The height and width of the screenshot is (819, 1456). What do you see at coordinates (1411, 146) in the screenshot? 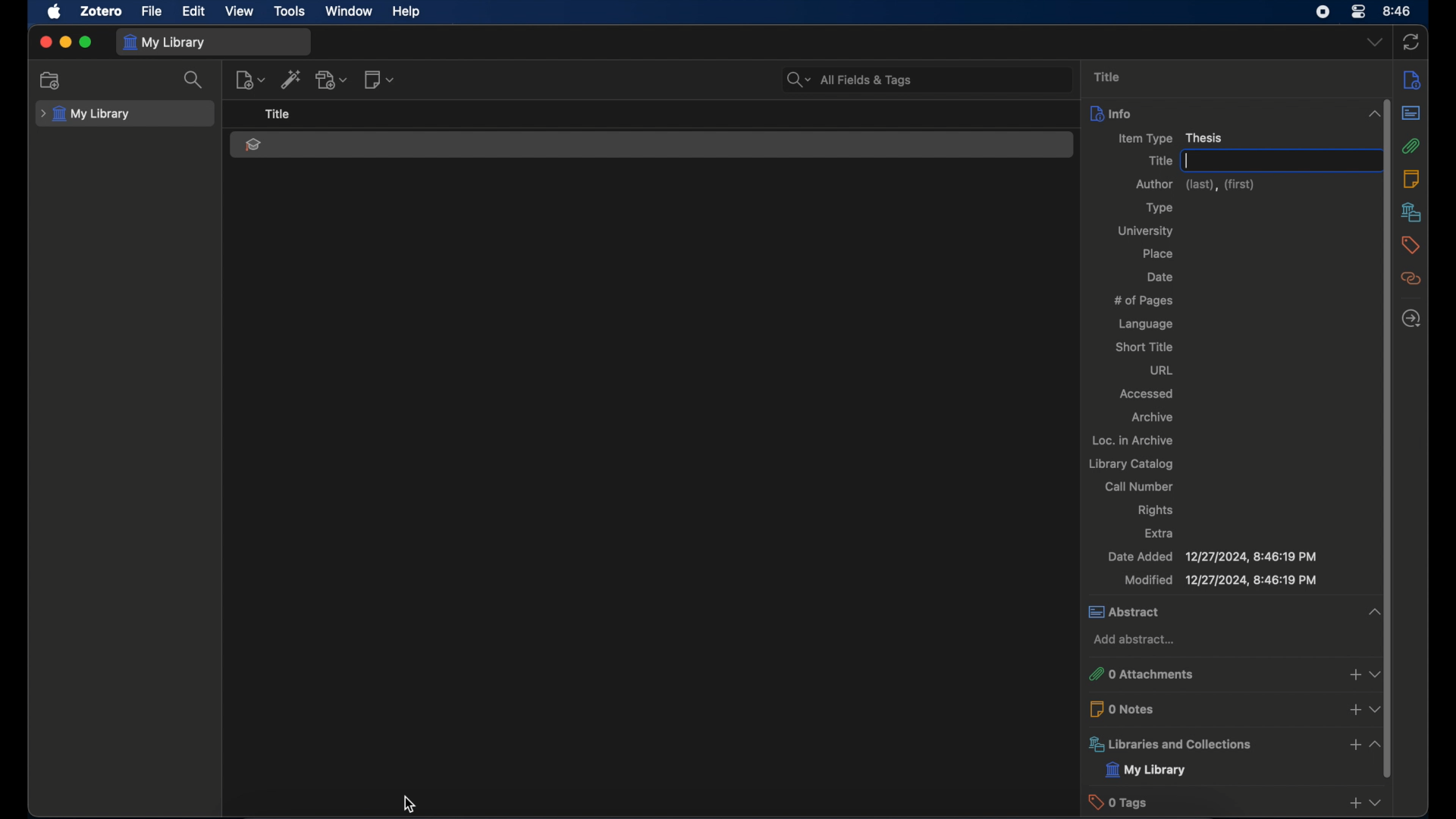
I see `attachments` at bounding box center [1411, 146].